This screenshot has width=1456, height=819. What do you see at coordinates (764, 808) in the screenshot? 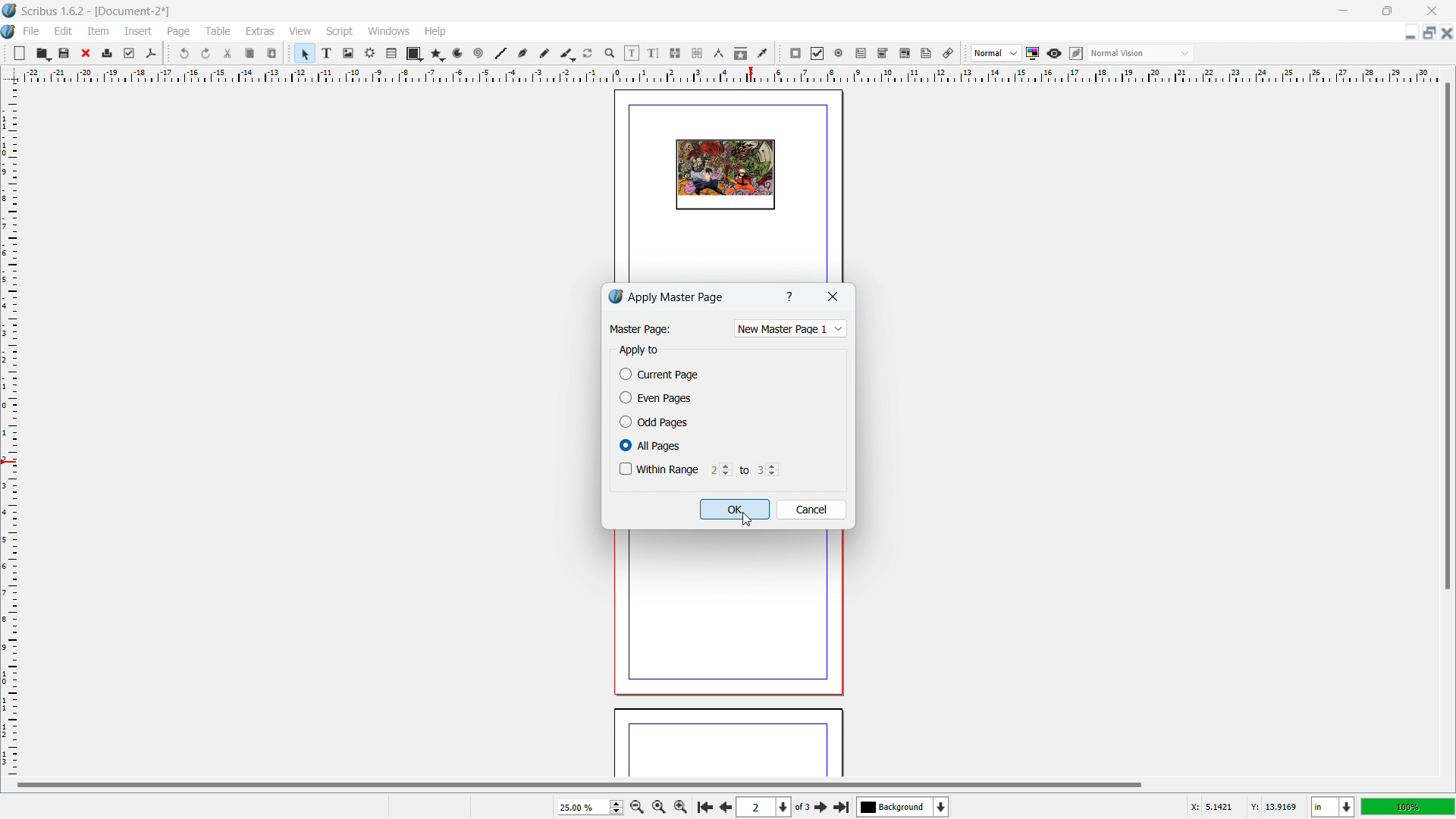
I see `select the current page` at bounding box center [764, 808].